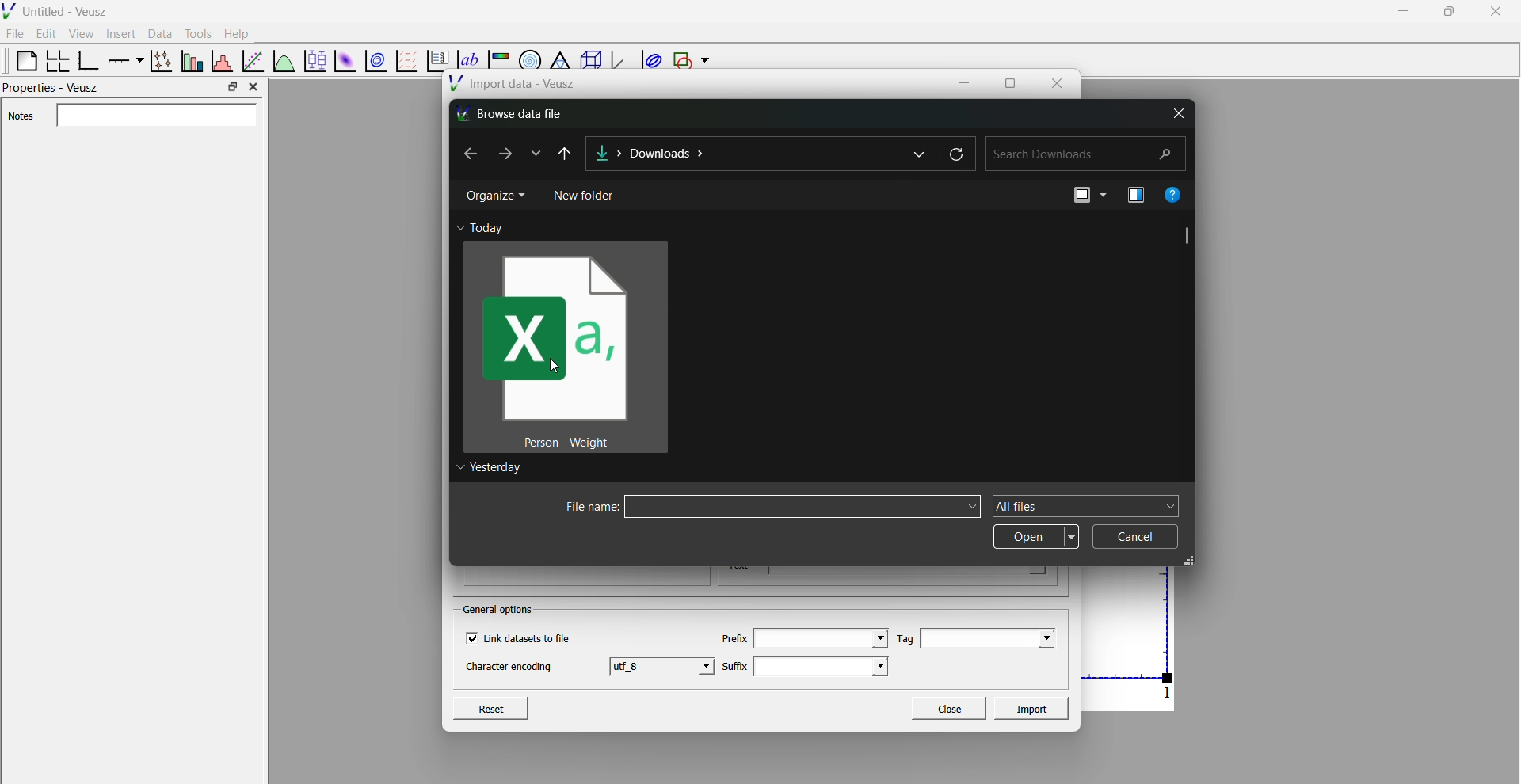  Describe the element at coordinates (342, 61) in the screenshot. I see `plot 2d dataset as an image` at that location.